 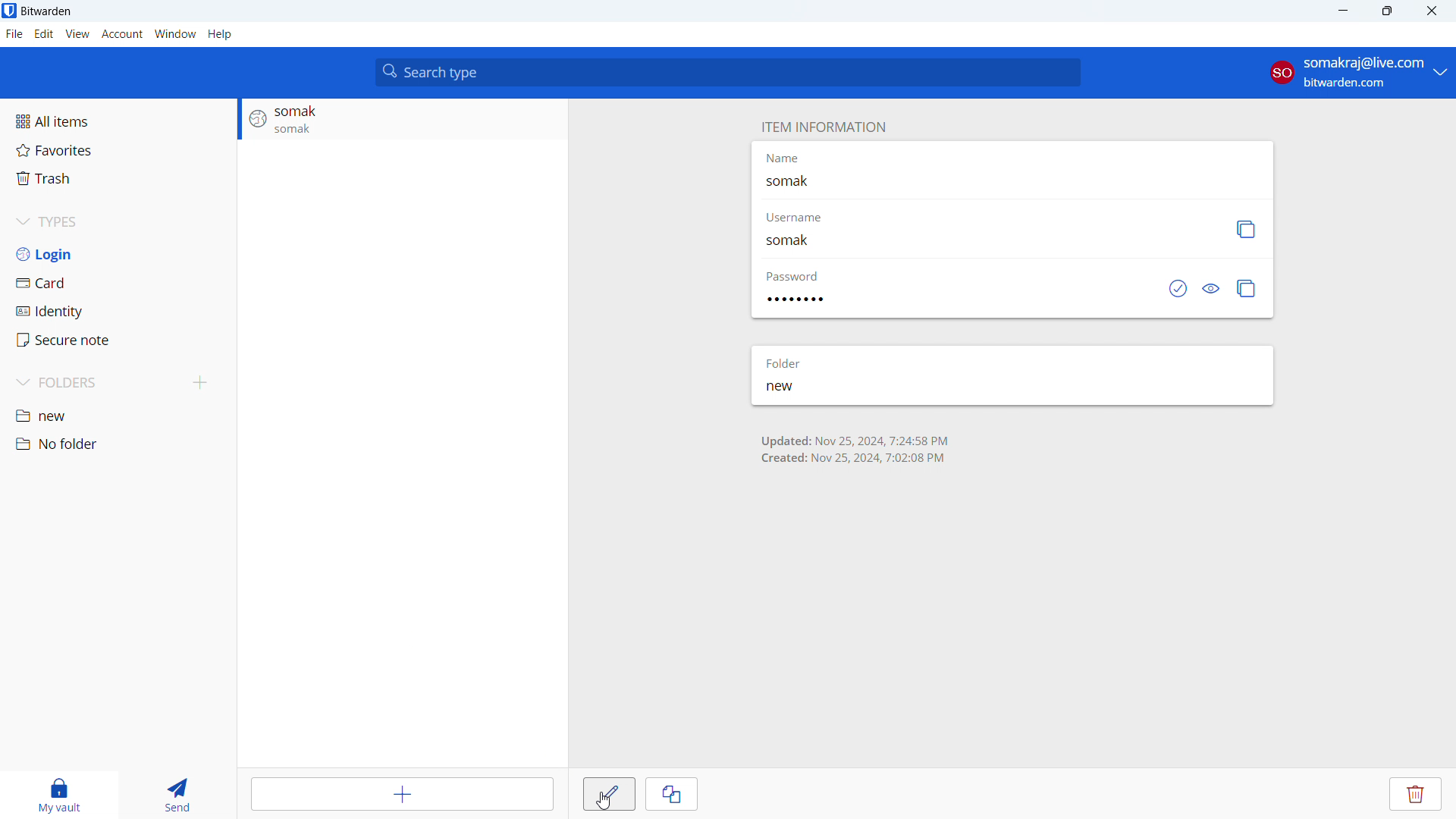 What do you see at coordinates (43, 34) in the screenshot?
I see `edit` at bounding box center [43, 34].